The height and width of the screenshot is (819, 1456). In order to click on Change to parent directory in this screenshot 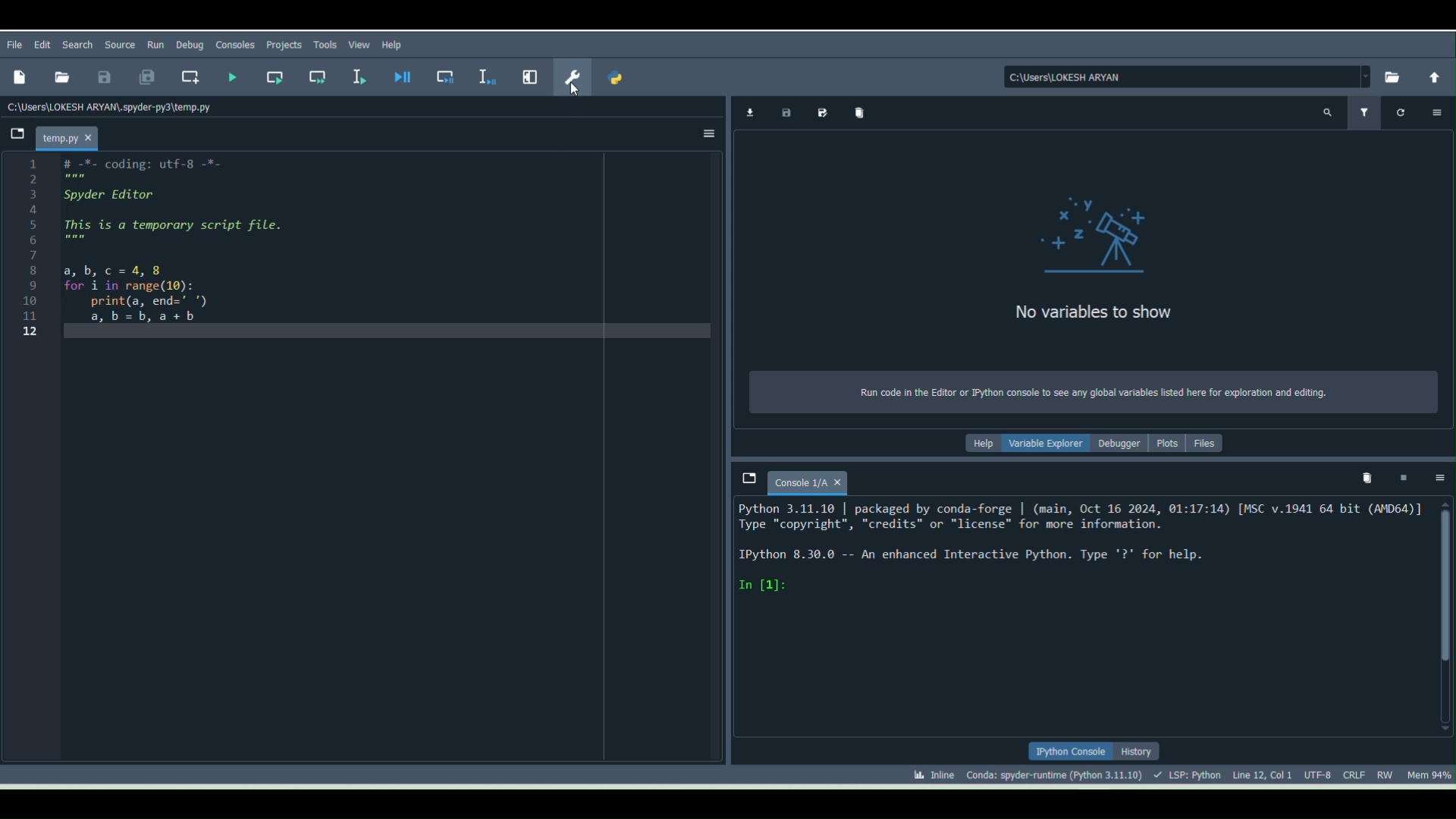, I will do `click(1432, 77)`.